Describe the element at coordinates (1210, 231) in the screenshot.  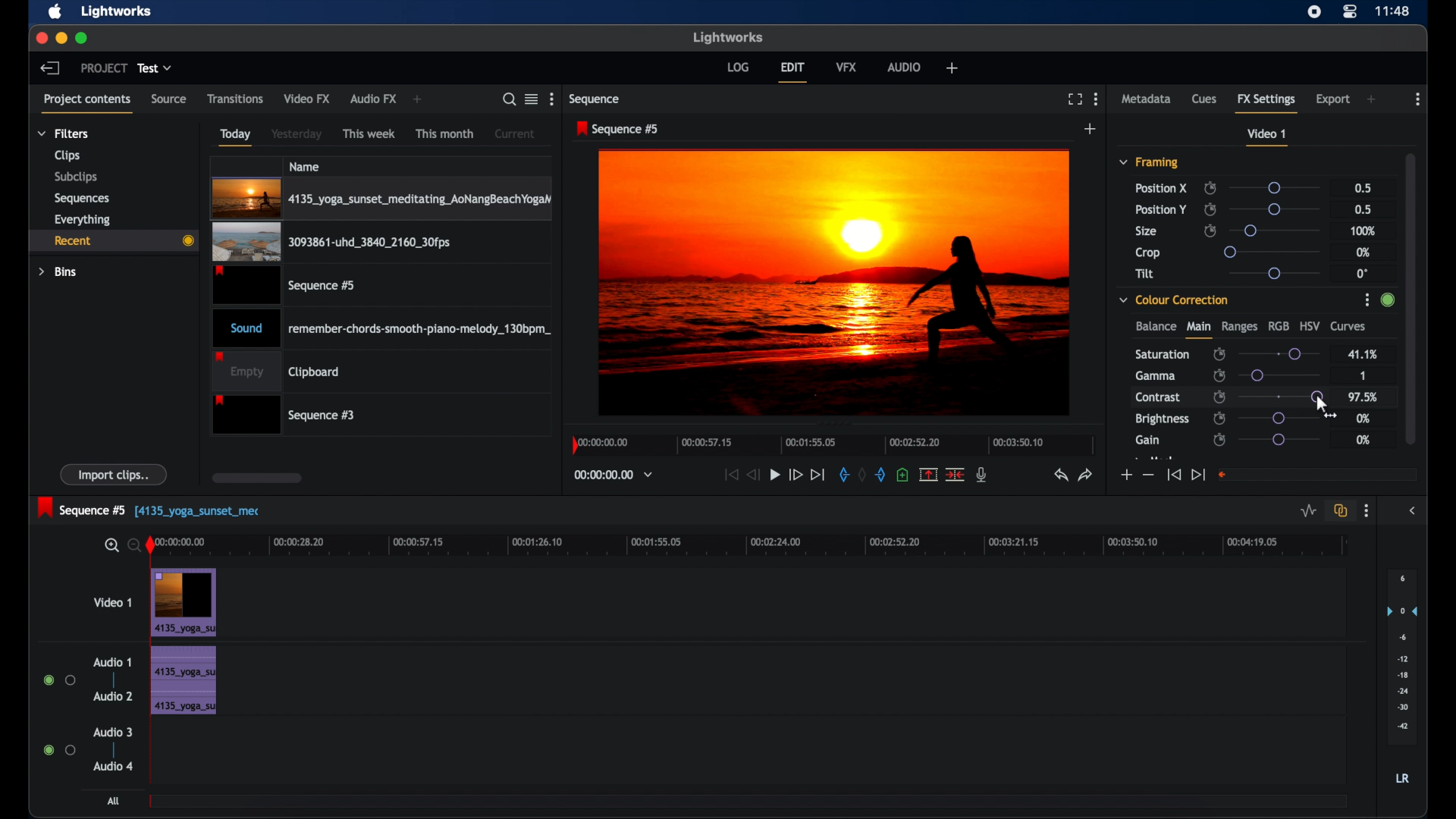
I see `enable/disable keyframes` at that location.